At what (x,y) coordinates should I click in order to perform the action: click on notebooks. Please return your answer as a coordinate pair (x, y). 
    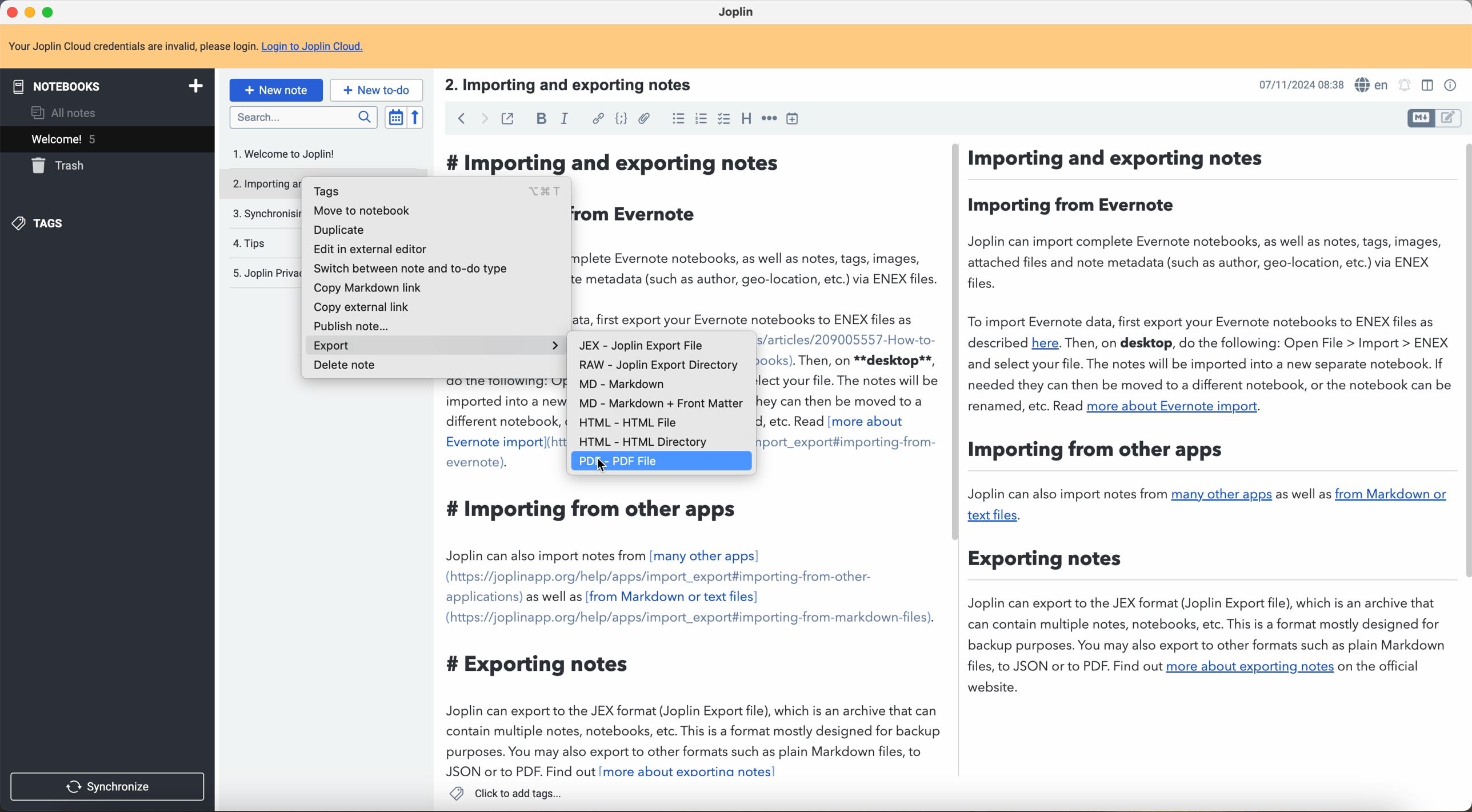
    Looking at the image, I should click on (111, 85).